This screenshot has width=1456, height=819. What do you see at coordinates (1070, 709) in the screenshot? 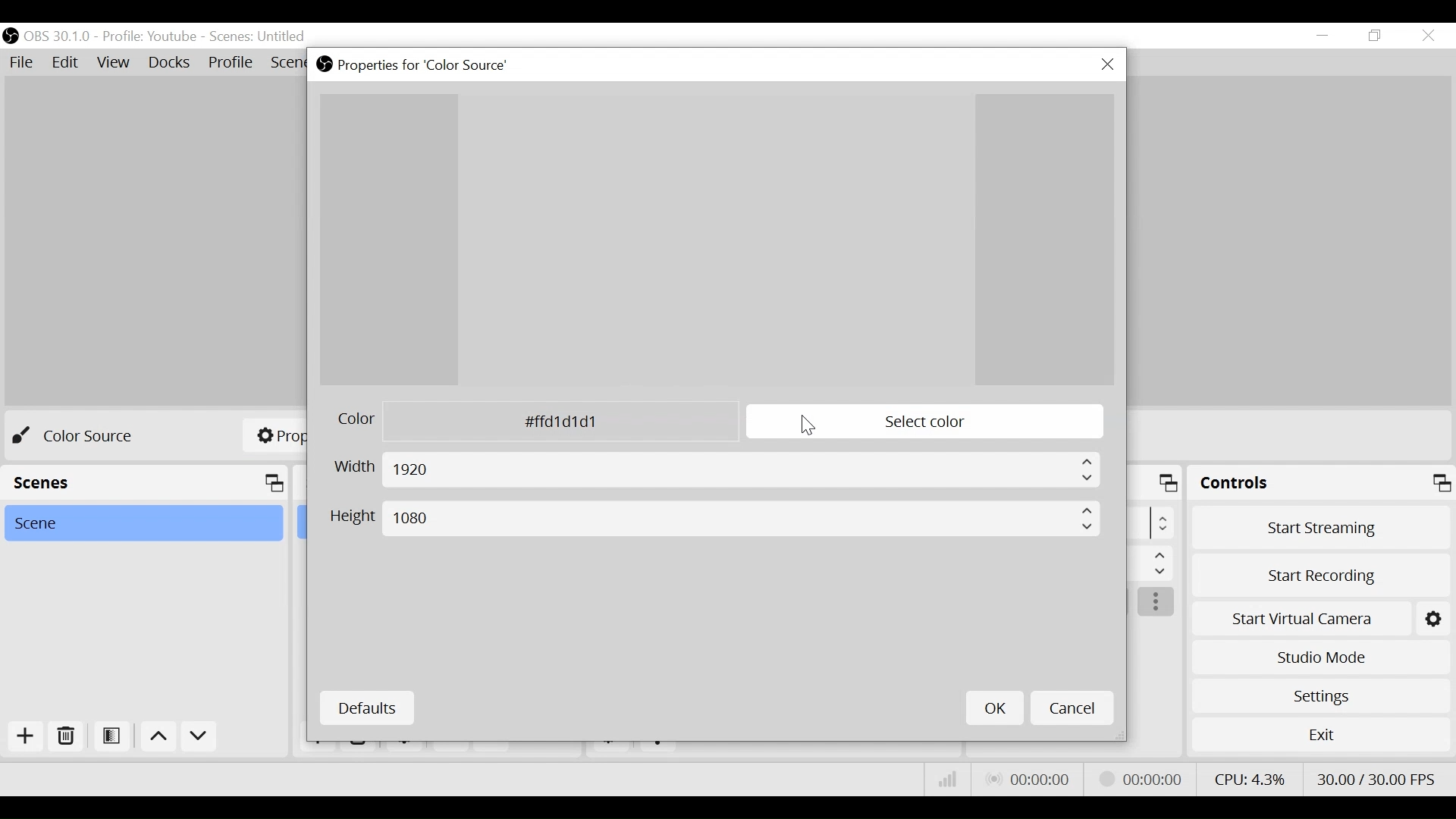
I see `Cancel` at bounding box center [1070, 709].